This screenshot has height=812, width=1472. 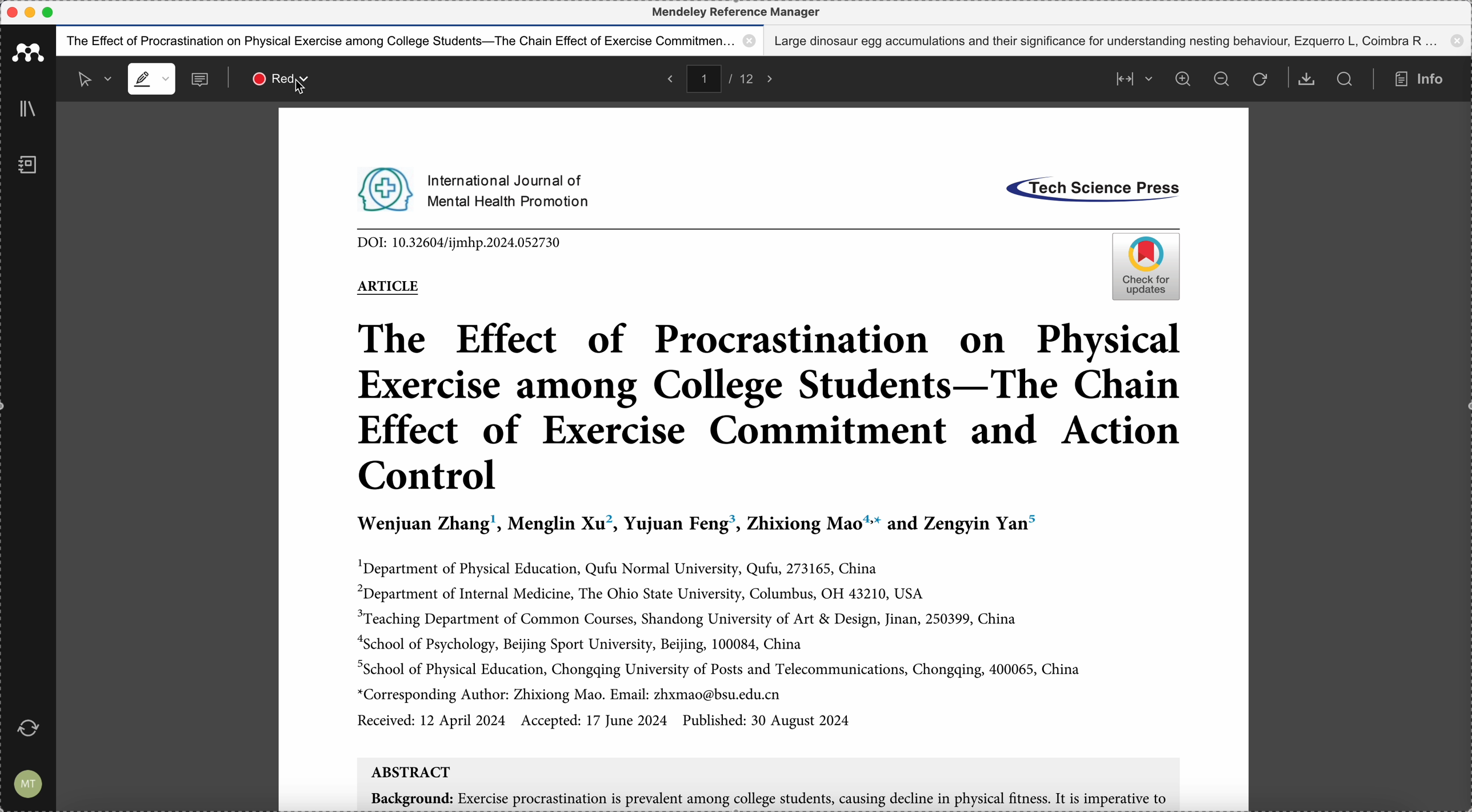 I want to click on comments, so click(x=202, y=81).